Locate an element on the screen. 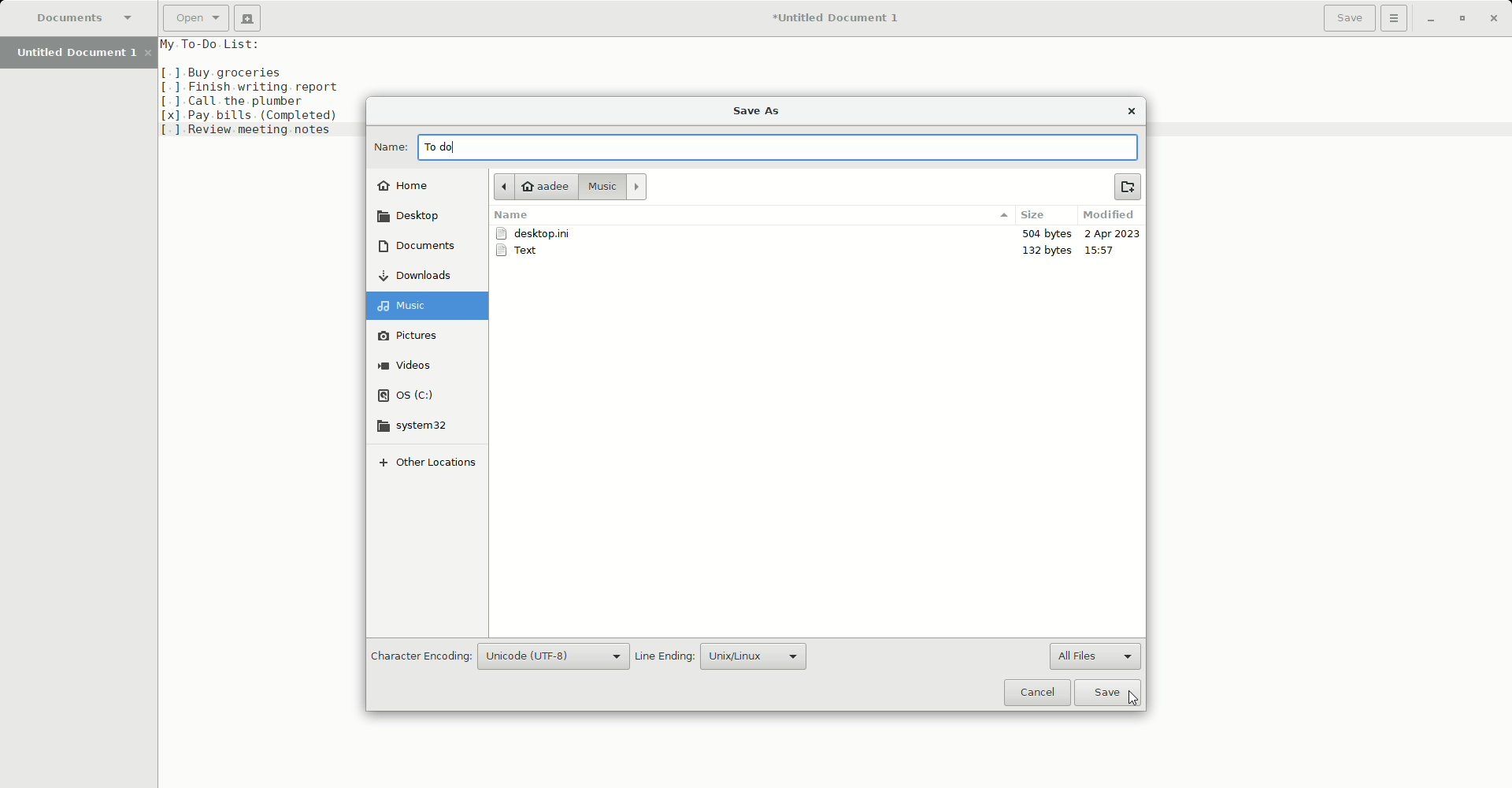  Open is located at coordinates (194, 17).